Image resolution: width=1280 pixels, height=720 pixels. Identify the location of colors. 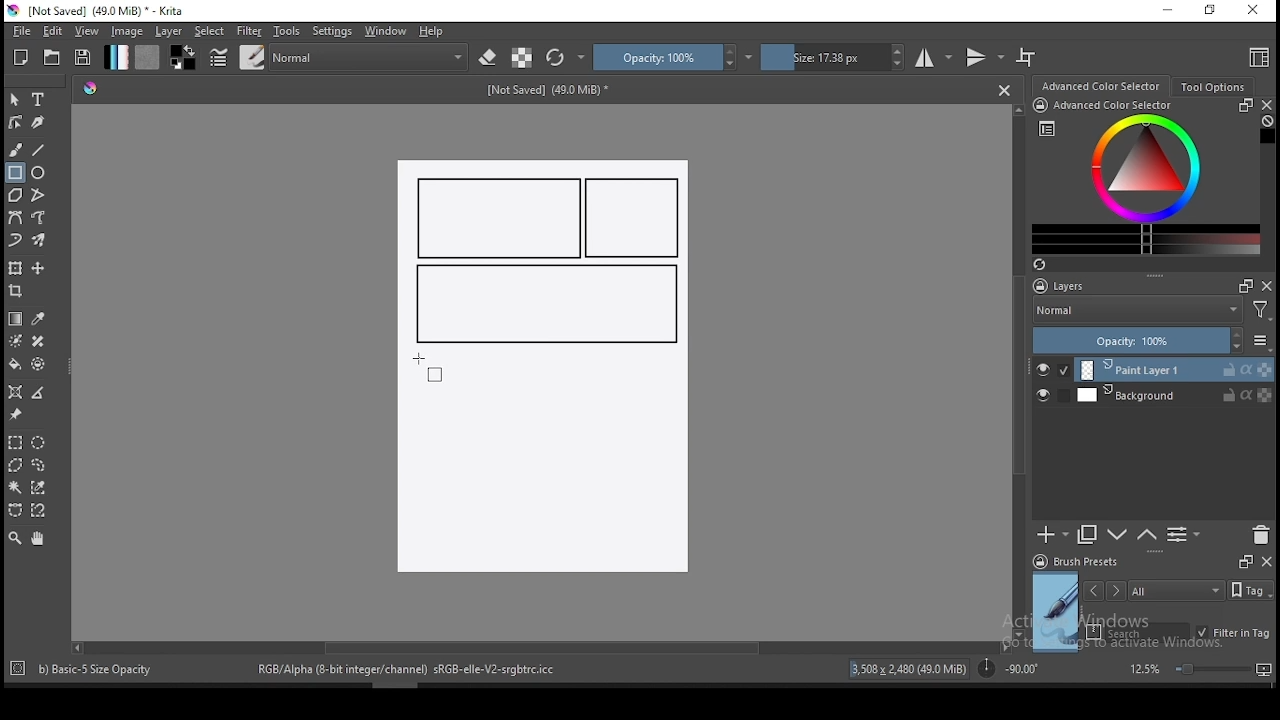
(183, 57).